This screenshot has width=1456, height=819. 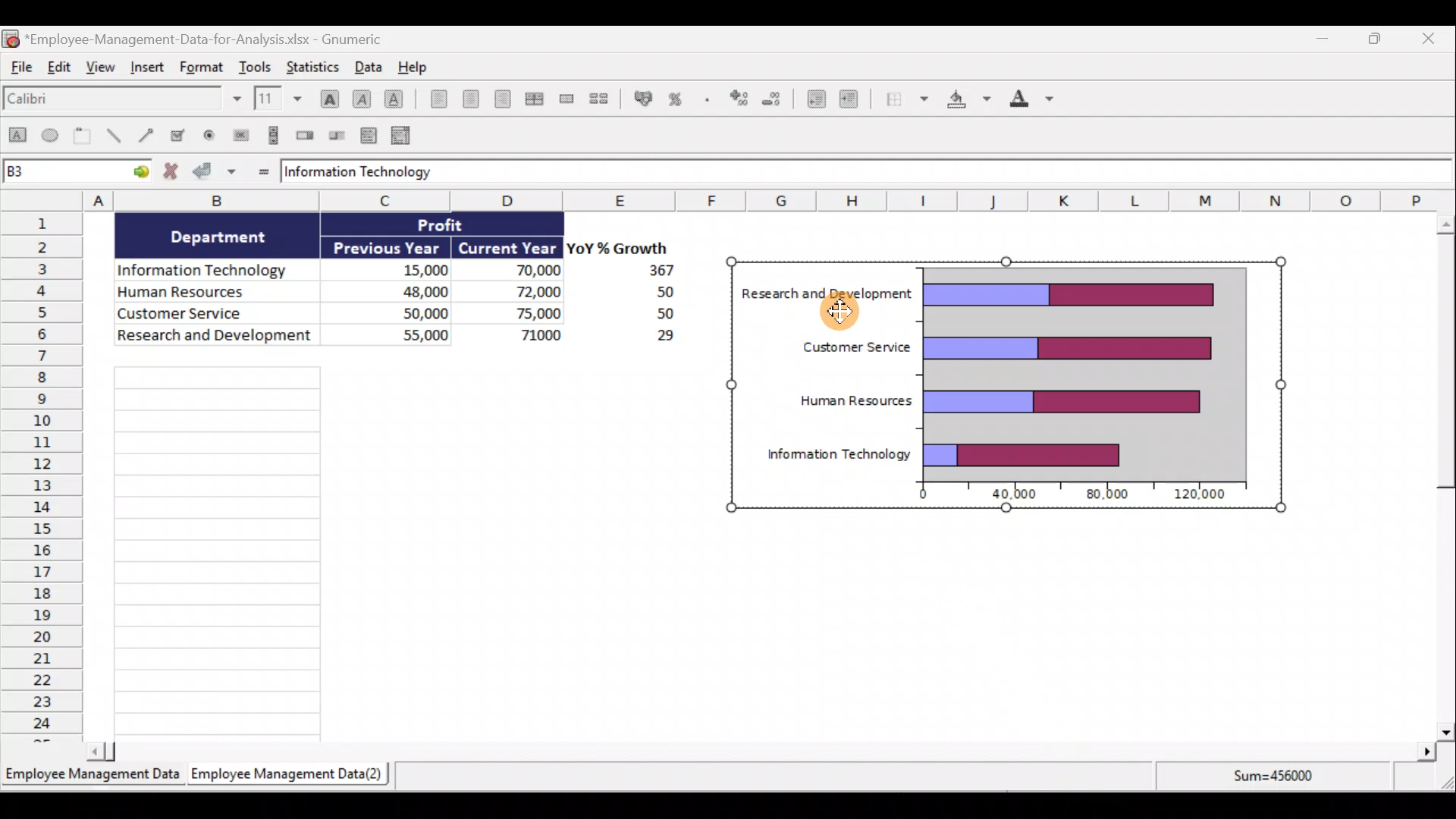 What do you see at coordinates (467, 99) in the screenshot?
I see `Centre horizontally` at bounding box center [467, 99].